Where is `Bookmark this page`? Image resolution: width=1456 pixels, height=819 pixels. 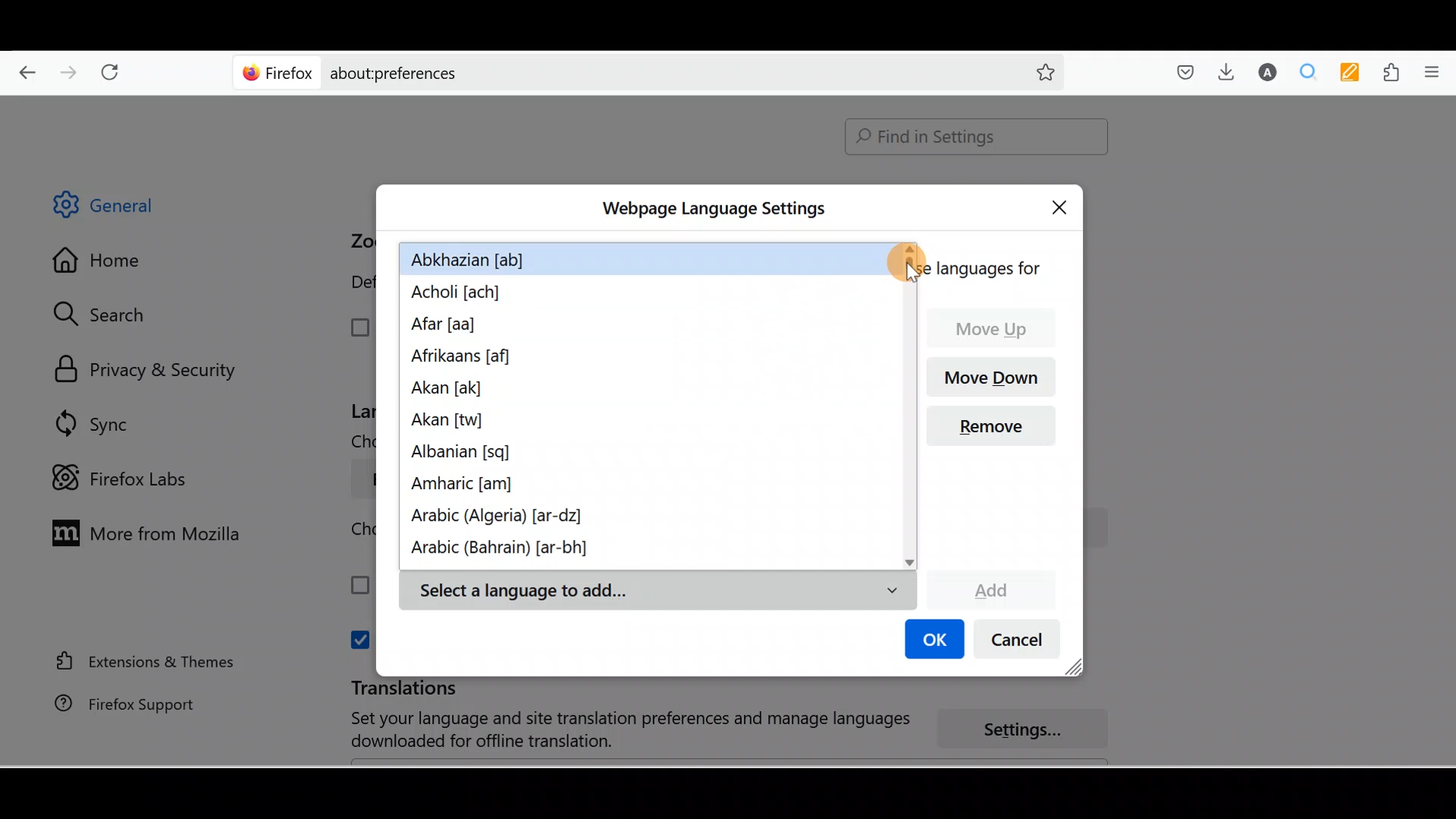 Bookmark this page is located at coordinates (1034, 71).